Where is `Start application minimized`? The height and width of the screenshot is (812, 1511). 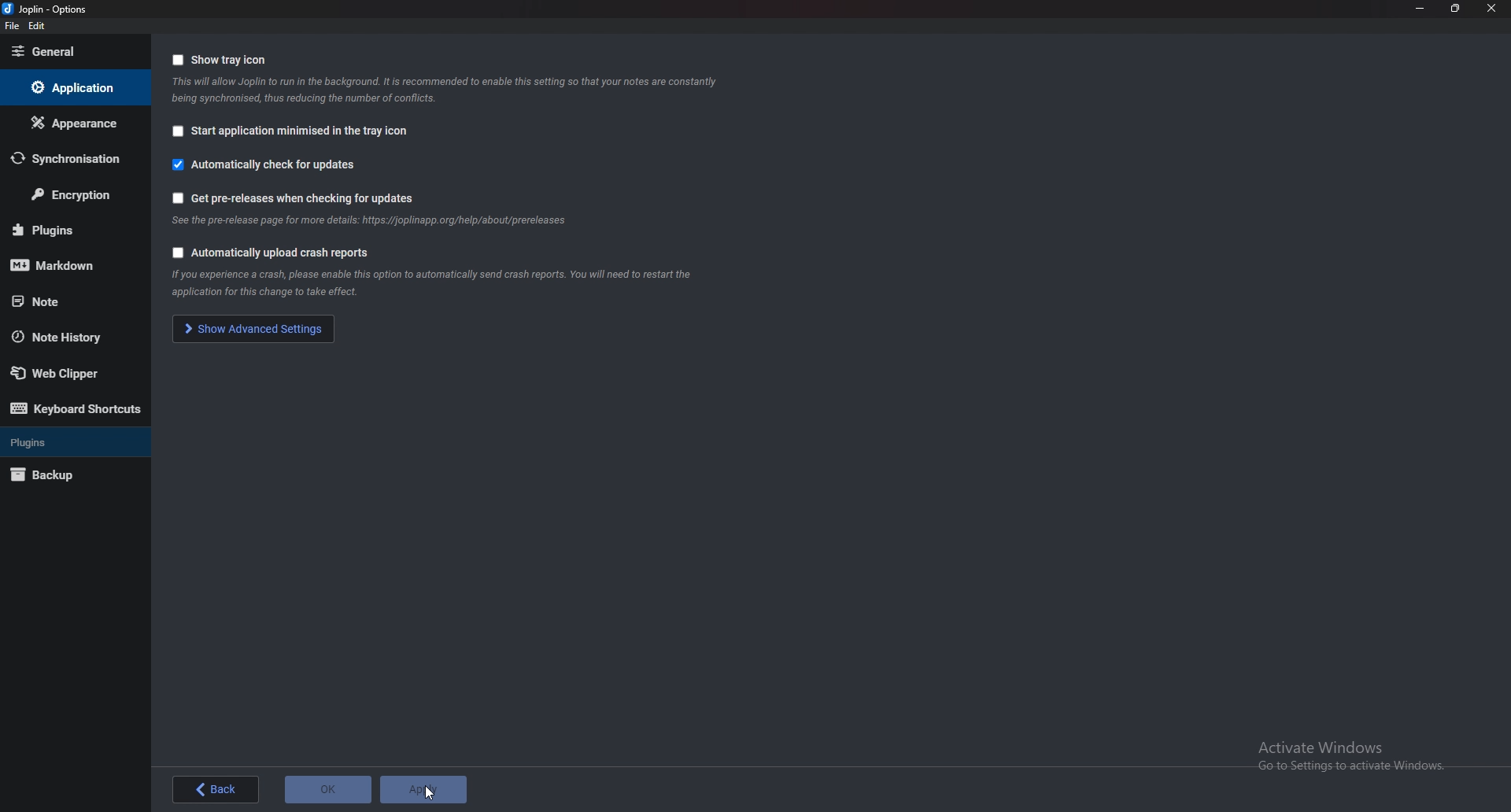
Start application minimized is located at coordinates (303, 131).